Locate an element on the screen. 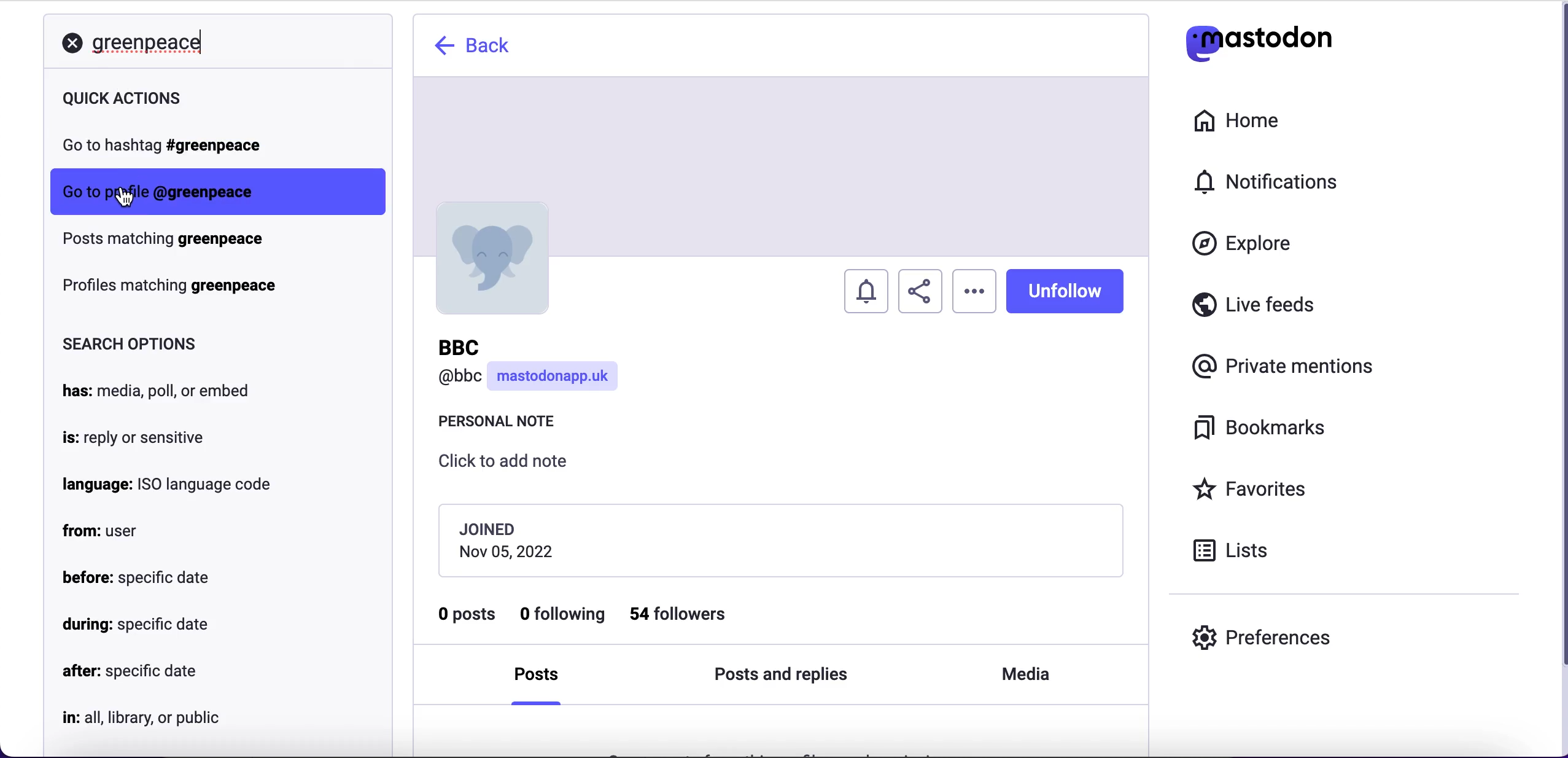  unfollow is located at coordinates (1065, 290).